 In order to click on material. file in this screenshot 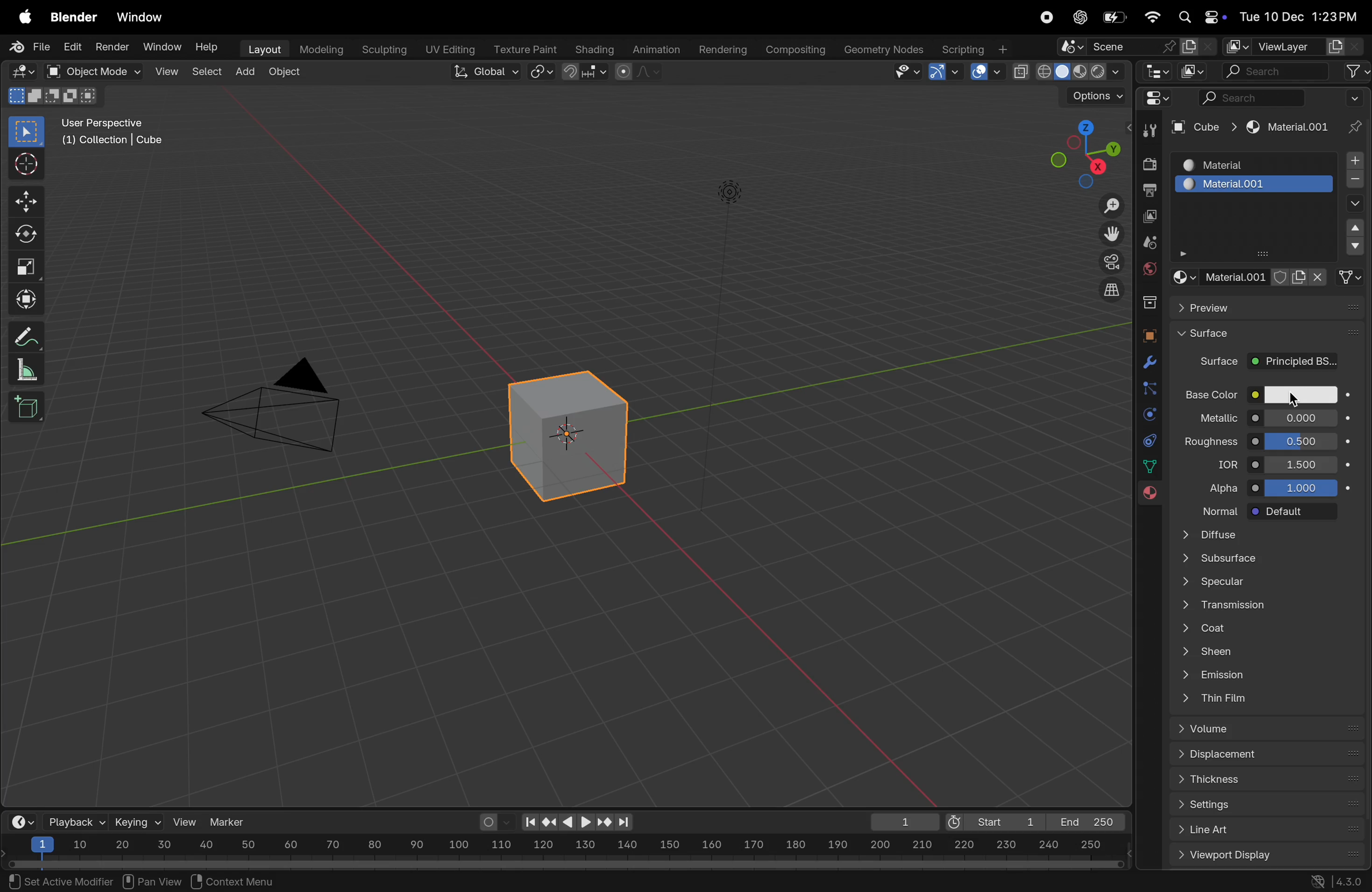, I will do `click(1261, 276)`.